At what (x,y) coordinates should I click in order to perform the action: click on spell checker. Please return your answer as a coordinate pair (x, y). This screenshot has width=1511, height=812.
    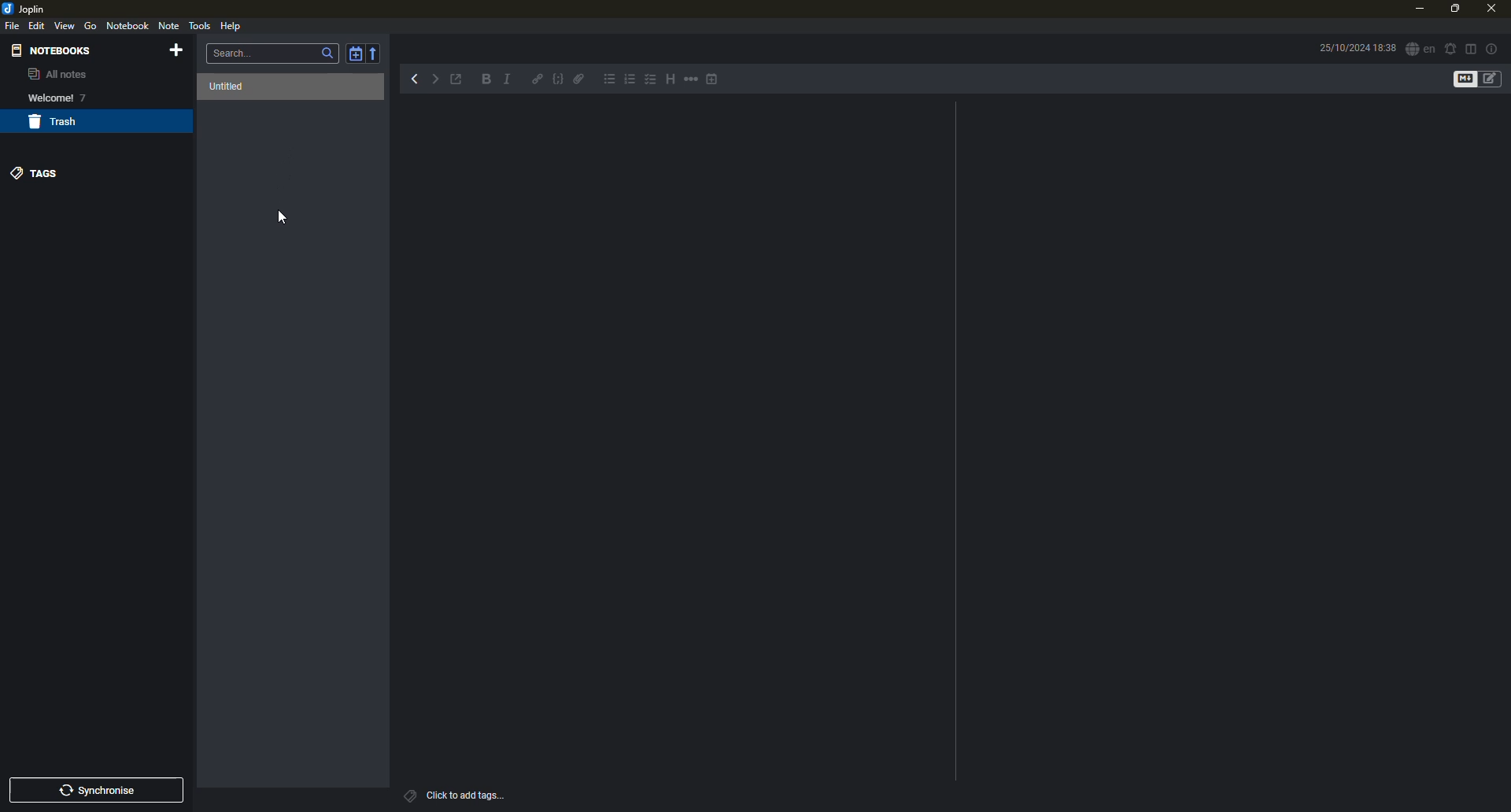
    Looking at the image, I should click on (1419, 50).